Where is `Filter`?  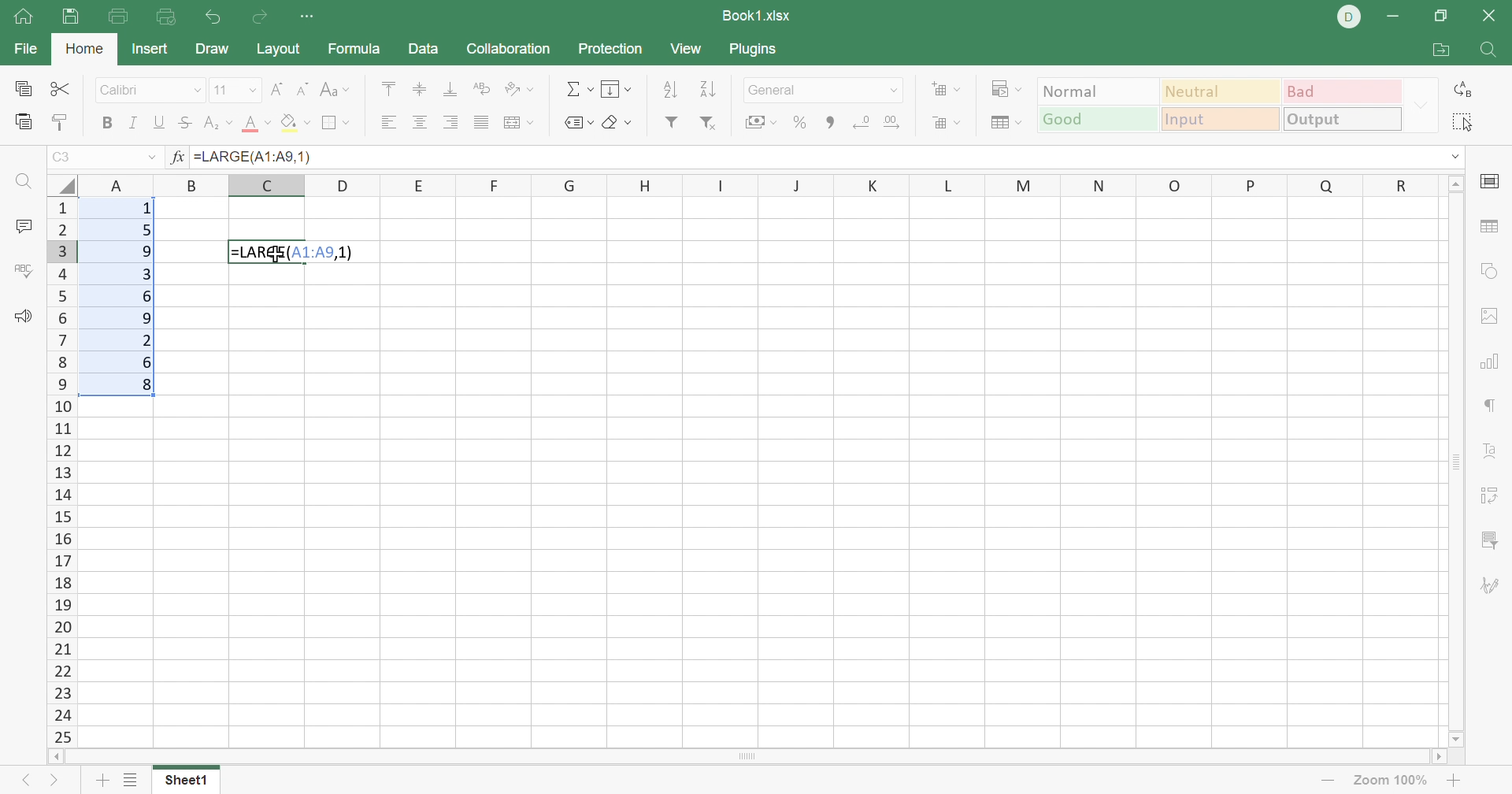
Filter is located at coordinates (669, 122).